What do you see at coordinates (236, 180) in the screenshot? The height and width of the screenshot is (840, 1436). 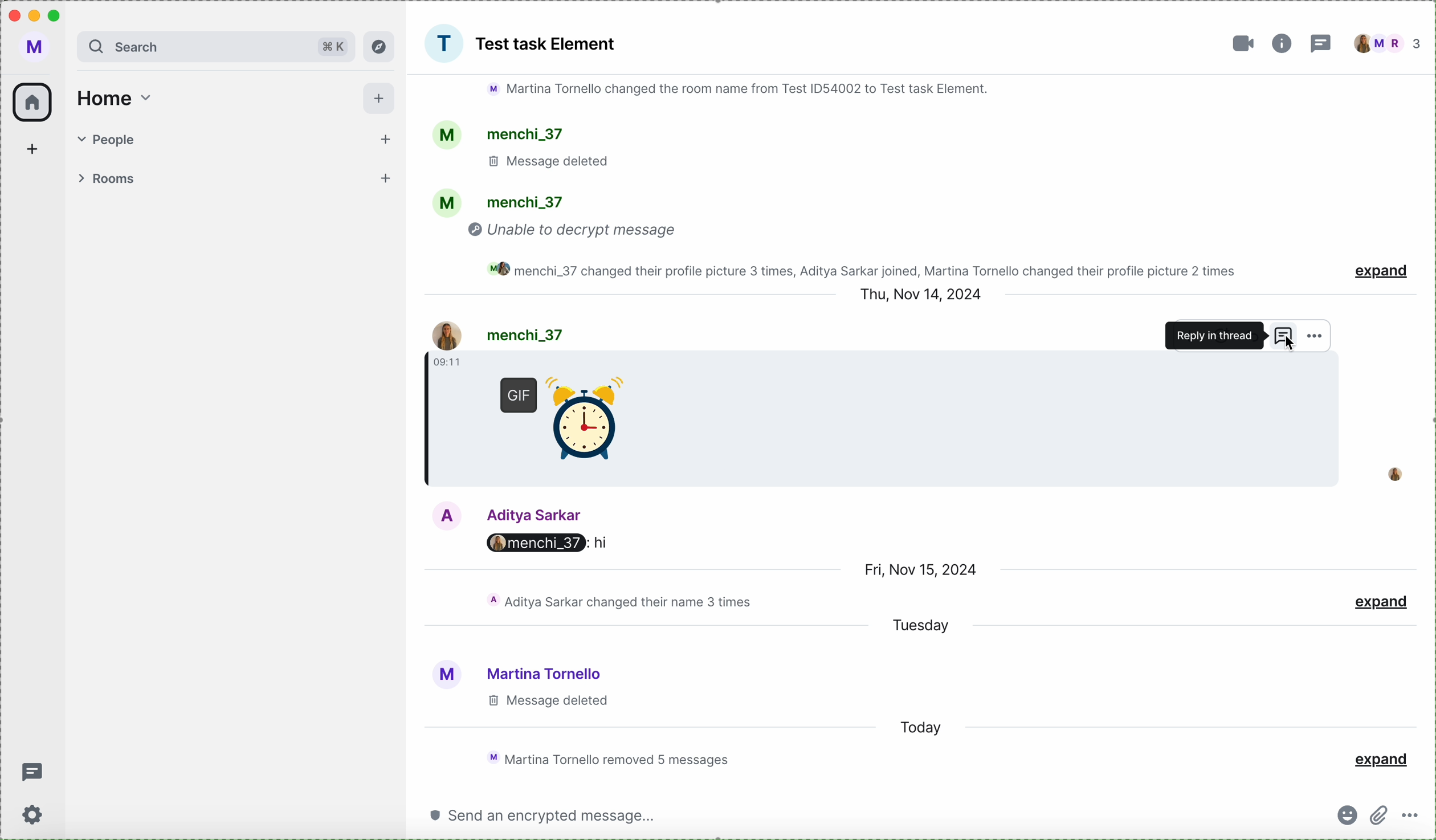 I see `rooms` at bounding box center [236, 180].